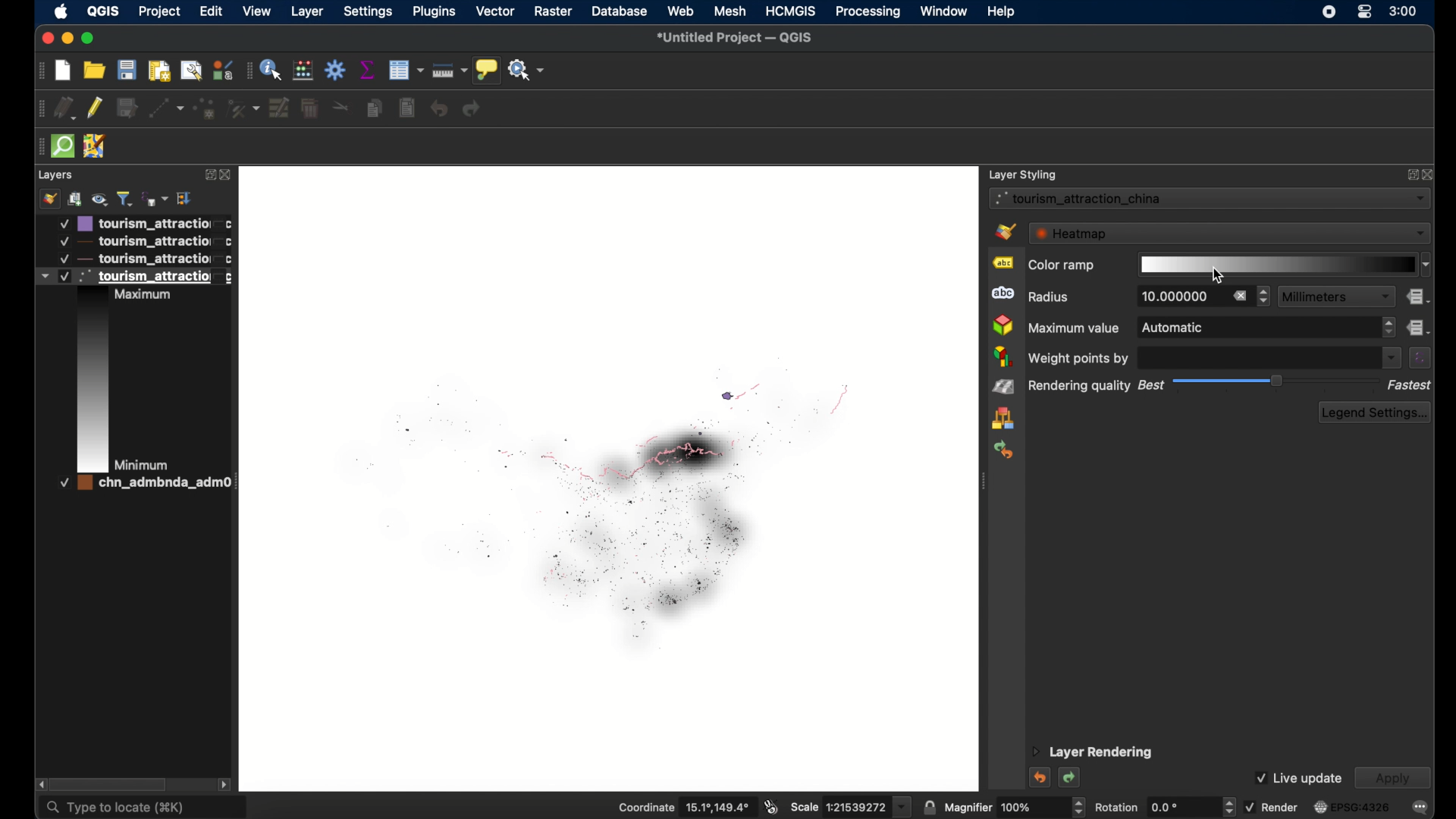 This screenshot has width=1456, height=819. What do you see at coordinates (38, 783) in the screenshot?
I see `scroll right arrow` at bounding box center [38, 783].